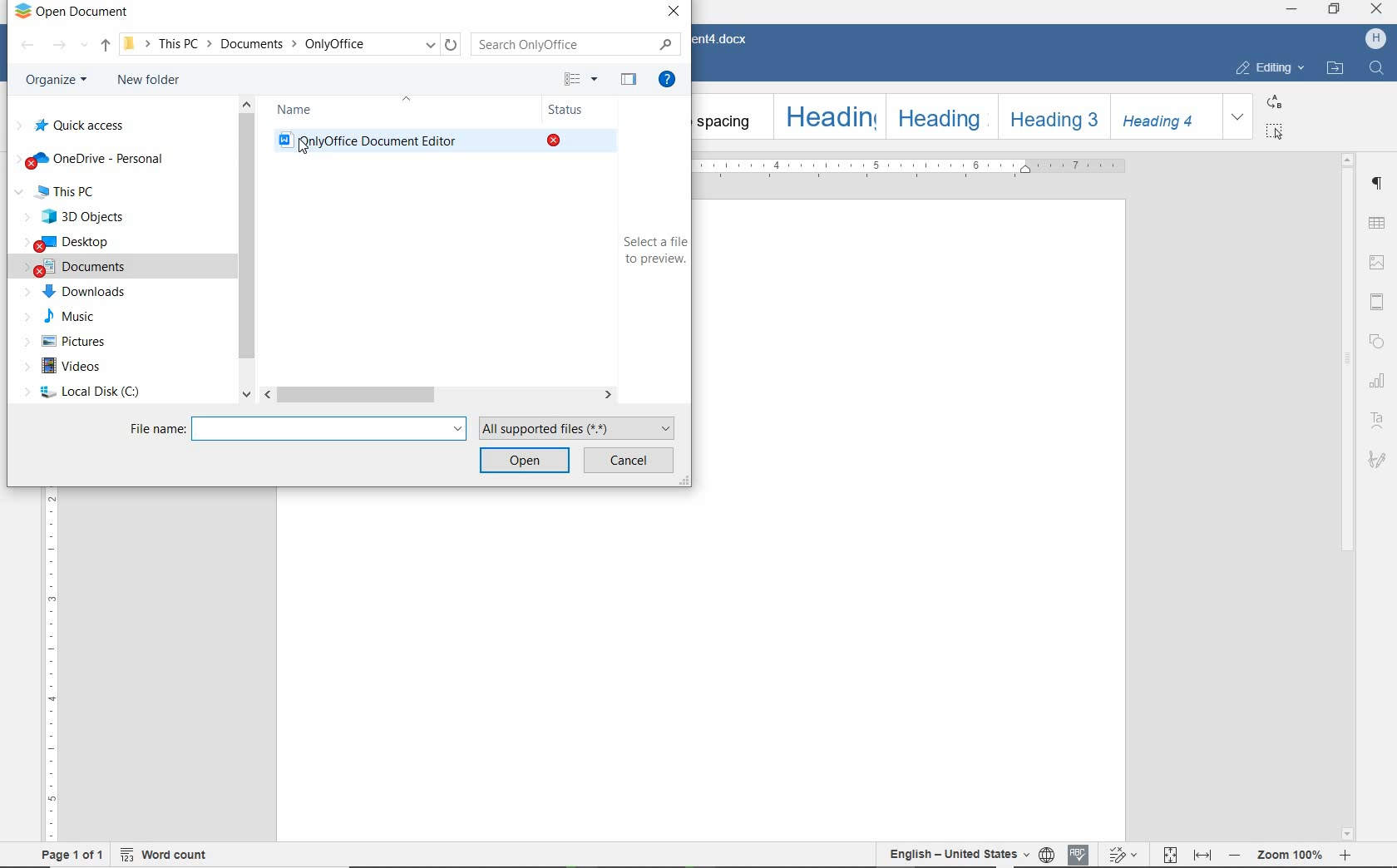 The width and height of the screenshot is (1397, 868). What do you see at coordinates (1238, 118) in the screenshot?
I see `expand` at bounding box center [1238, 118].